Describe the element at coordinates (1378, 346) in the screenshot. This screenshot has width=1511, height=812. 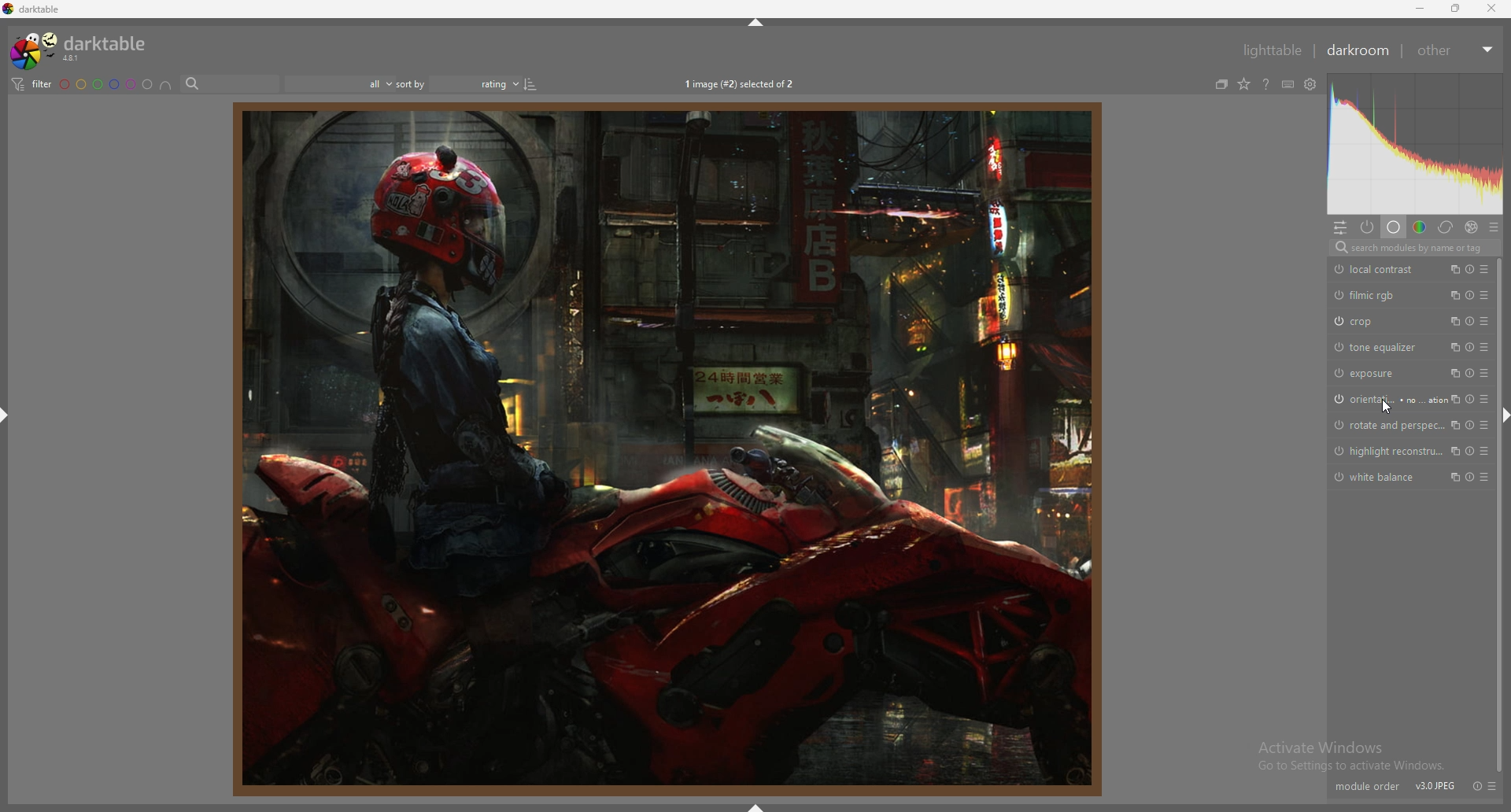
I see `tone equalizer` at that location.